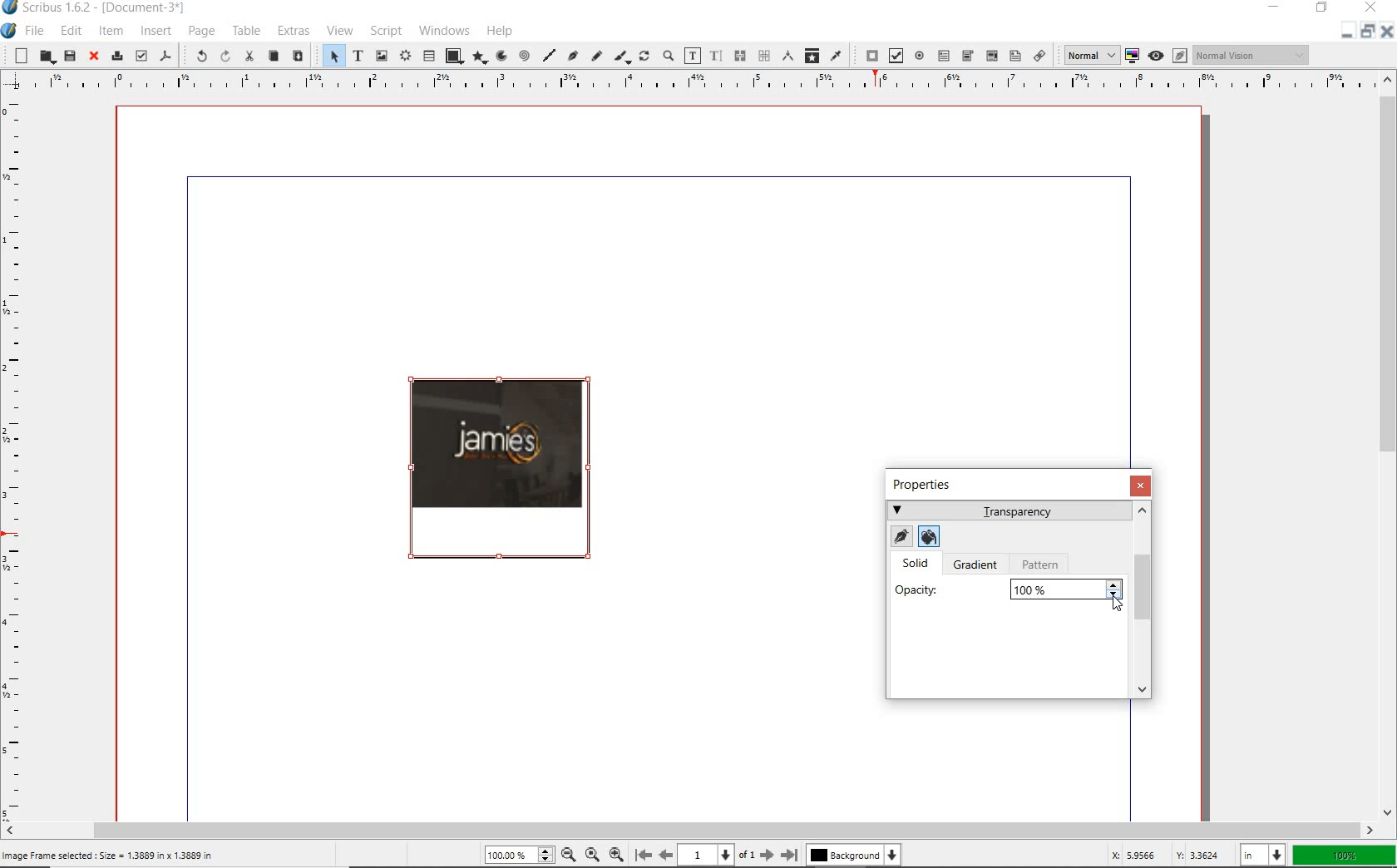 The width and height of the screenshot is (1397, 868). I want to click on Bezier curve, so click(572, 55).